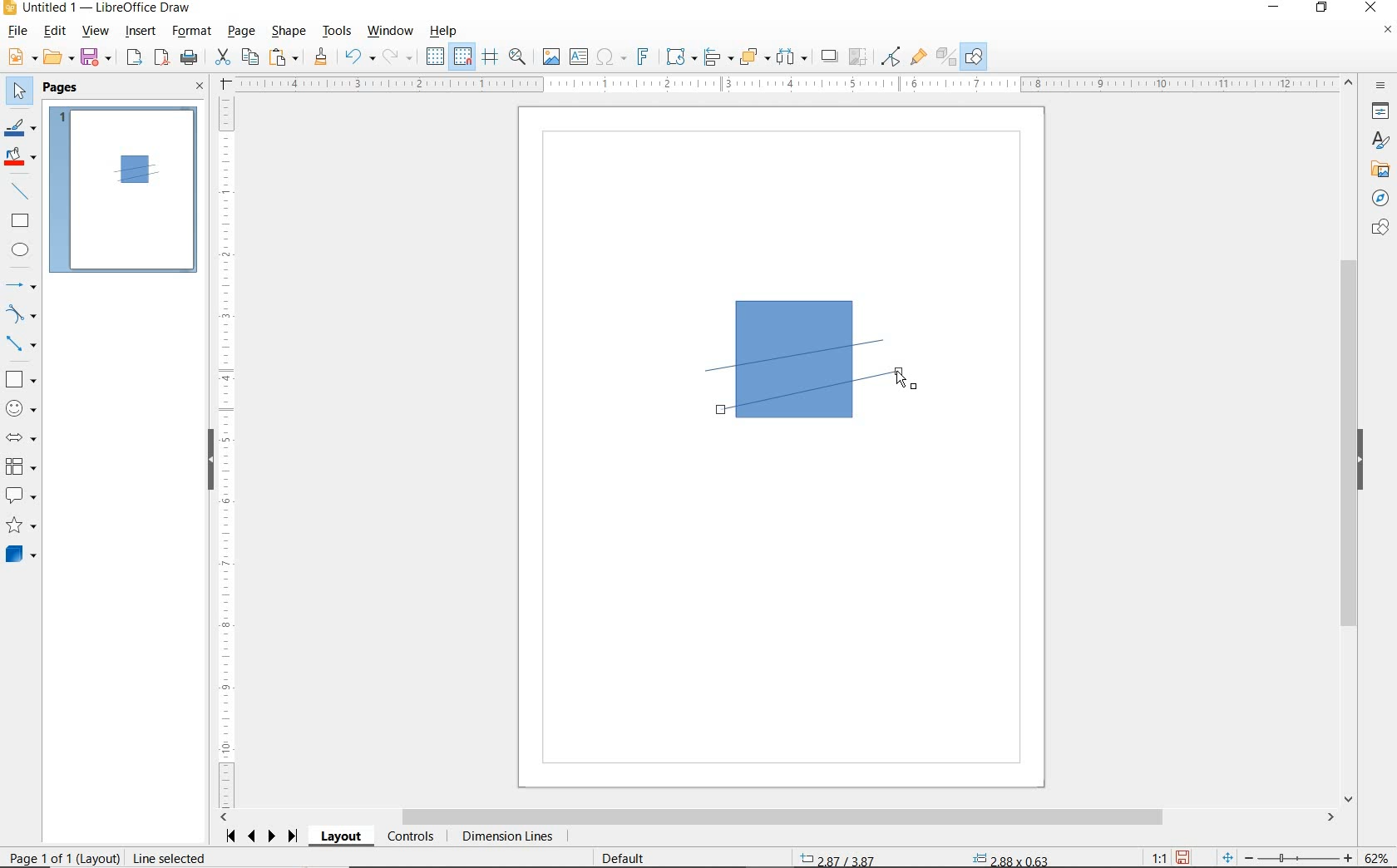 This screenshot has width=1397, height=868. I want to click on UNDO, so click(360, 58).